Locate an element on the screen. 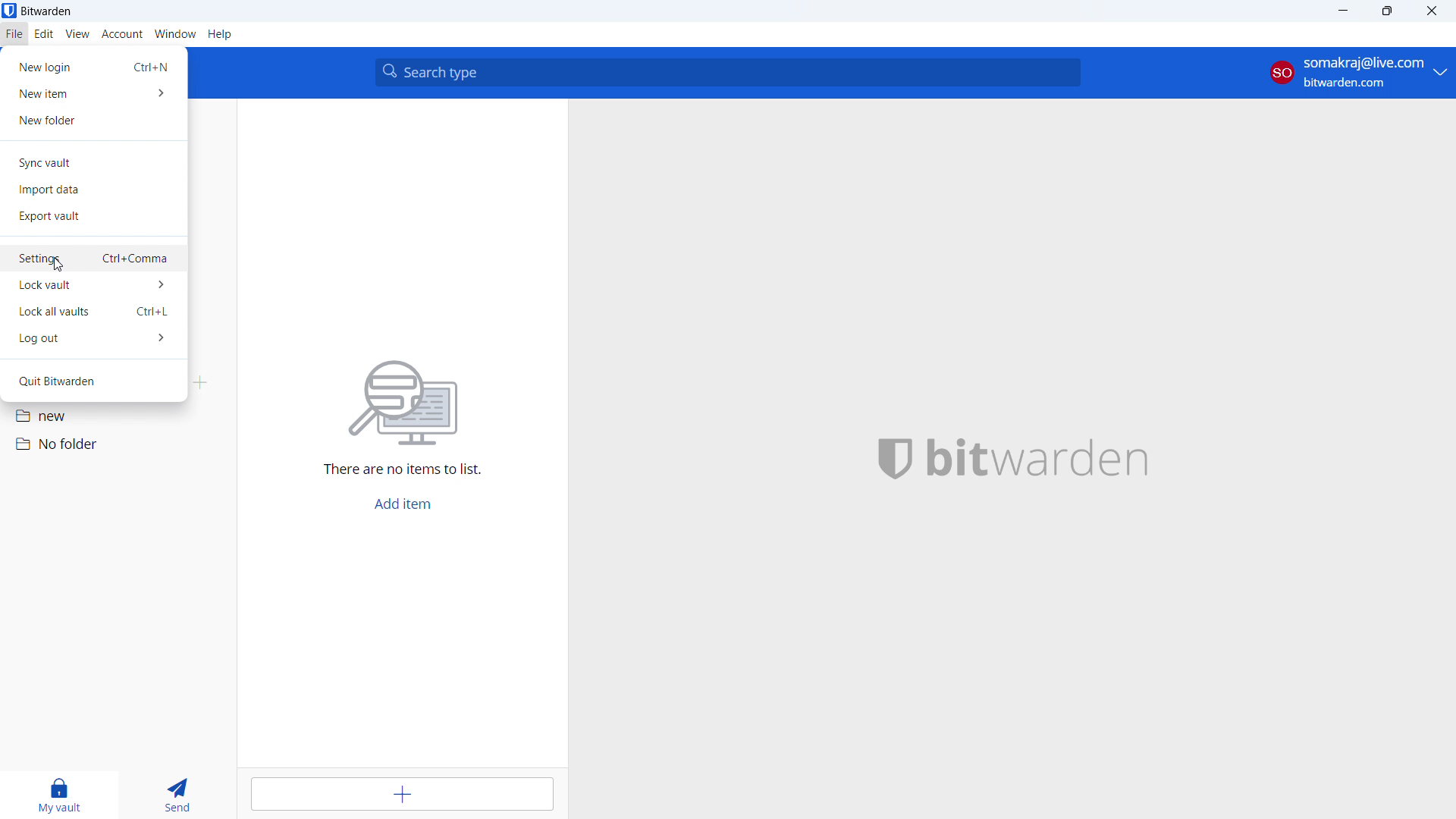  window is located at coordinates (176, 34).